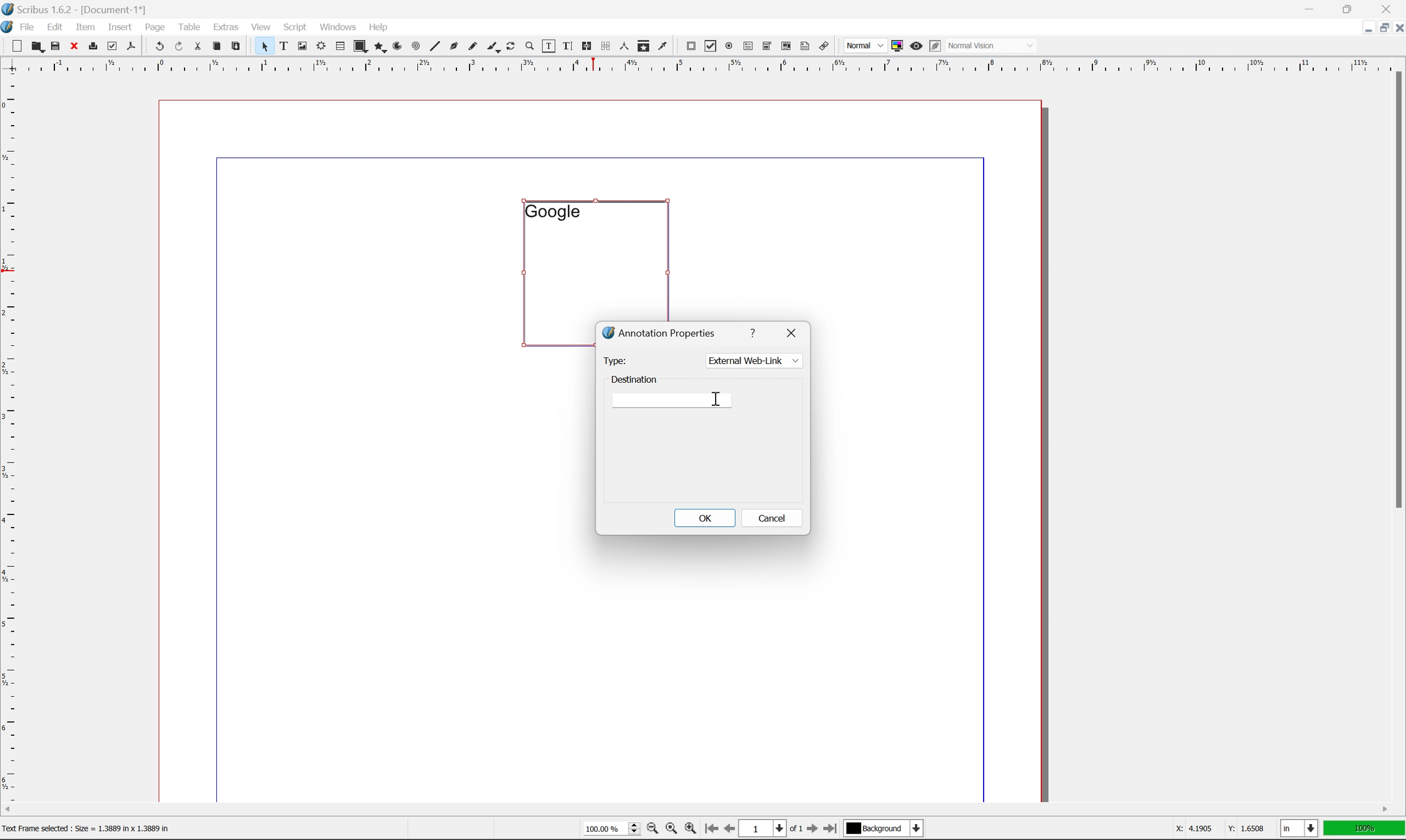 The image size is (1406, 840). Describe the element at coordinates (660, 332) in the screenshot. I see `annotation properties` at that location.